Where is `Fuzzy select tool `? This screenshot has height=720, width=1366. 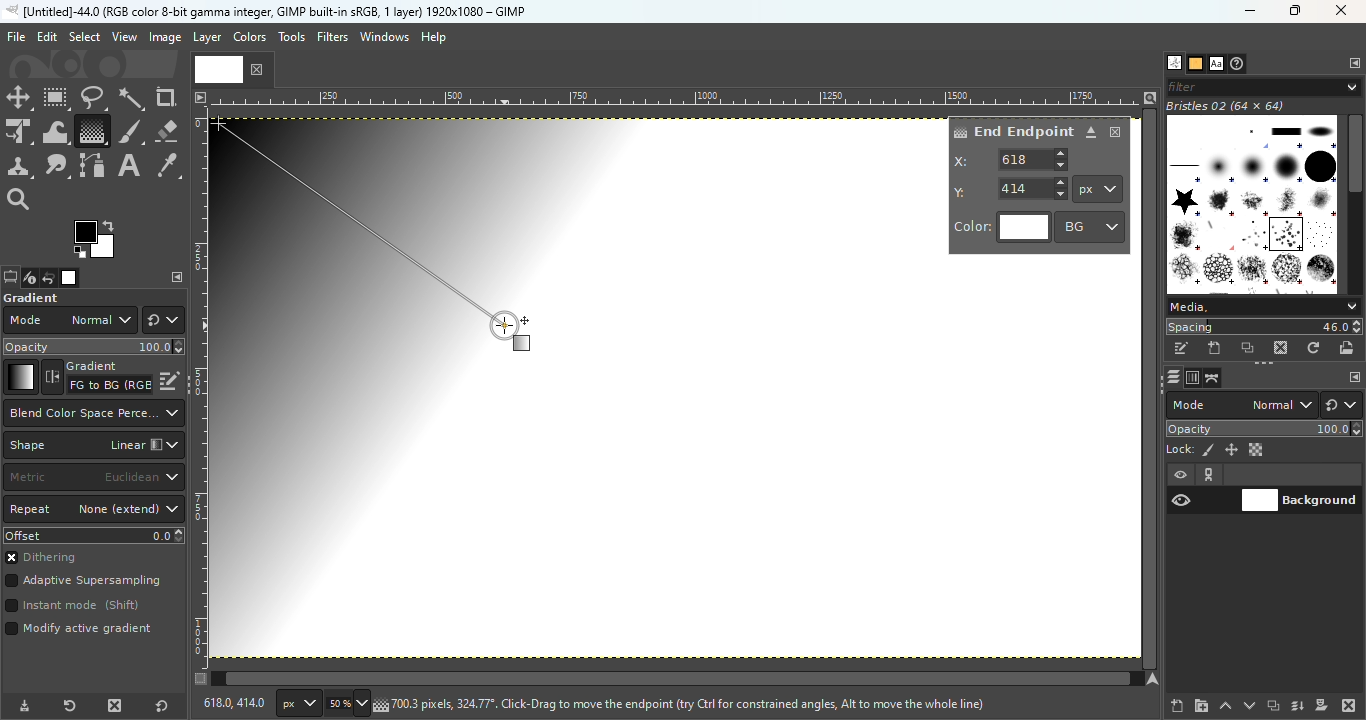
Fuzzy select tool  is located at coordinates (132, 98).